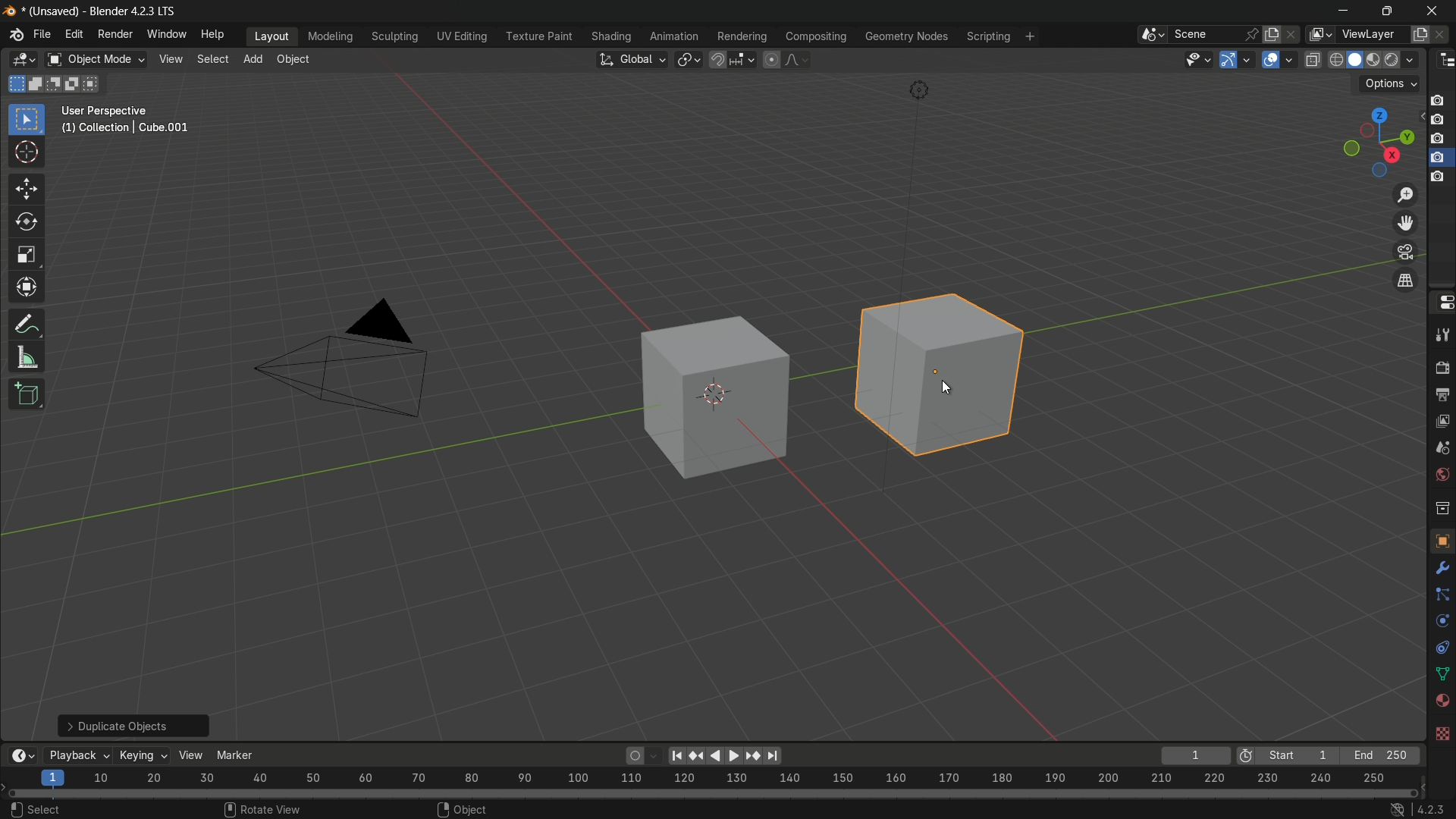  Describe the element at coordinates (1439, 121) in the screenshot. I see `Icon2` at that location.